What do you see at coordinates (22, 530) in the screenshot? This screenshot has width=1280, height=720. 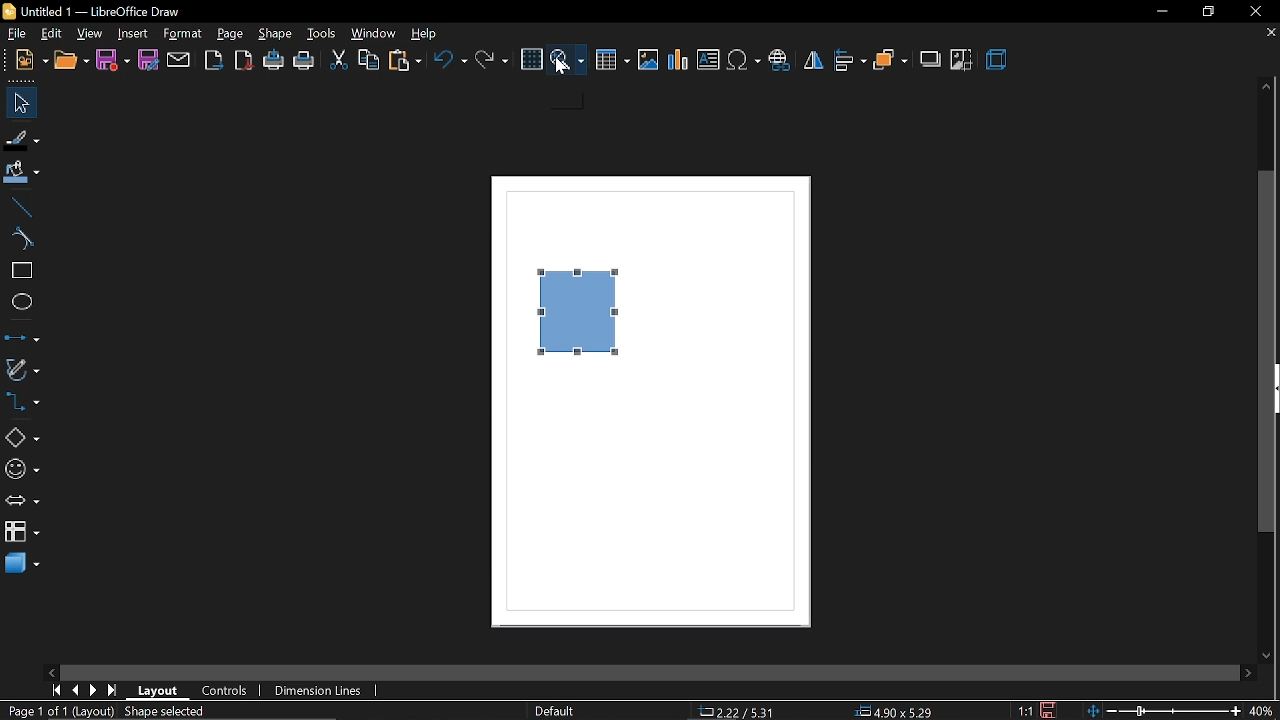 I see `flowchart` at bounding box center [22, 530].